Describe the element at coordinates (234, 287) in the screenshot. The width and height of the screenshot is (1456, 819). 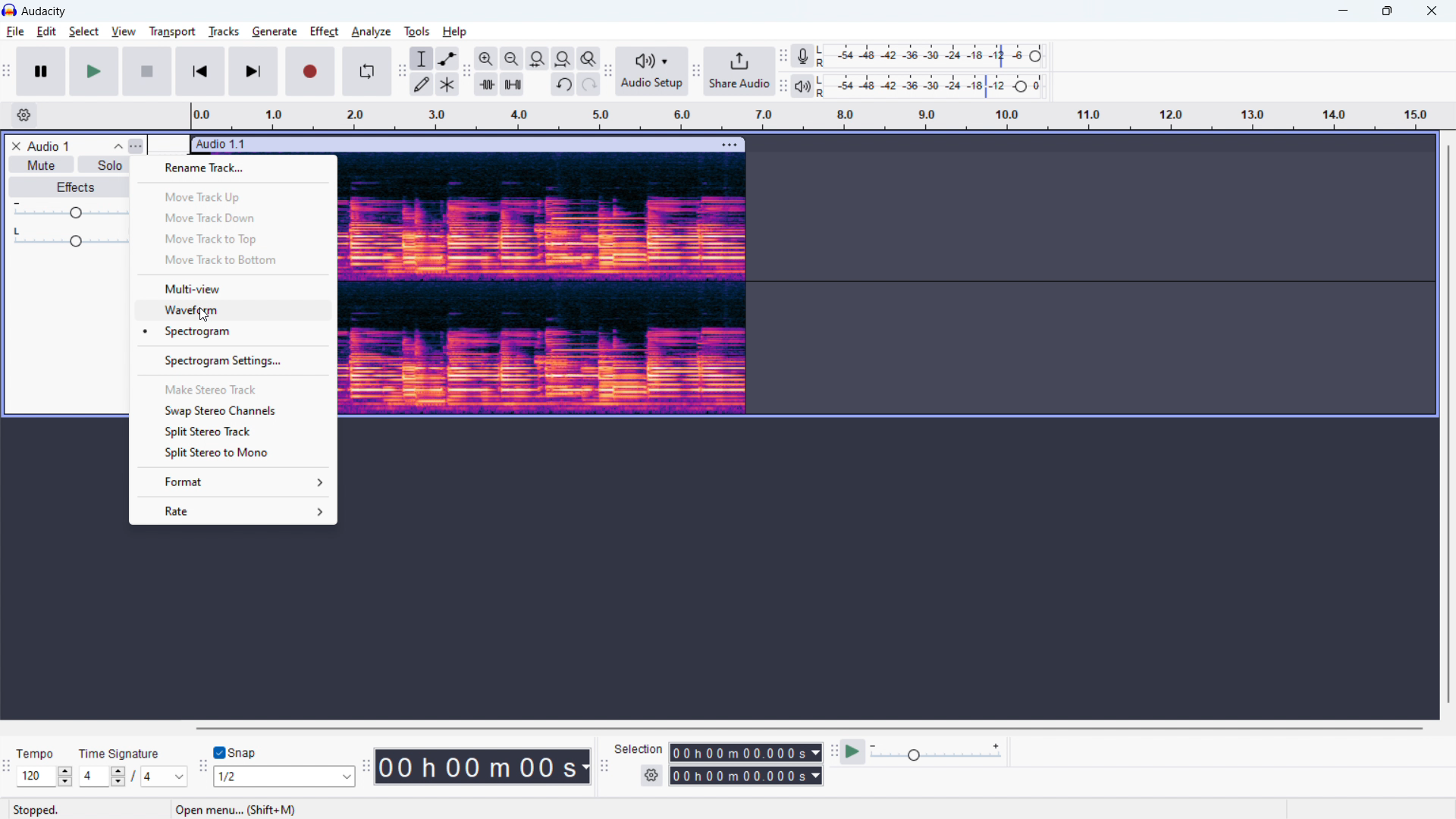
I see `multi-view` at that location.